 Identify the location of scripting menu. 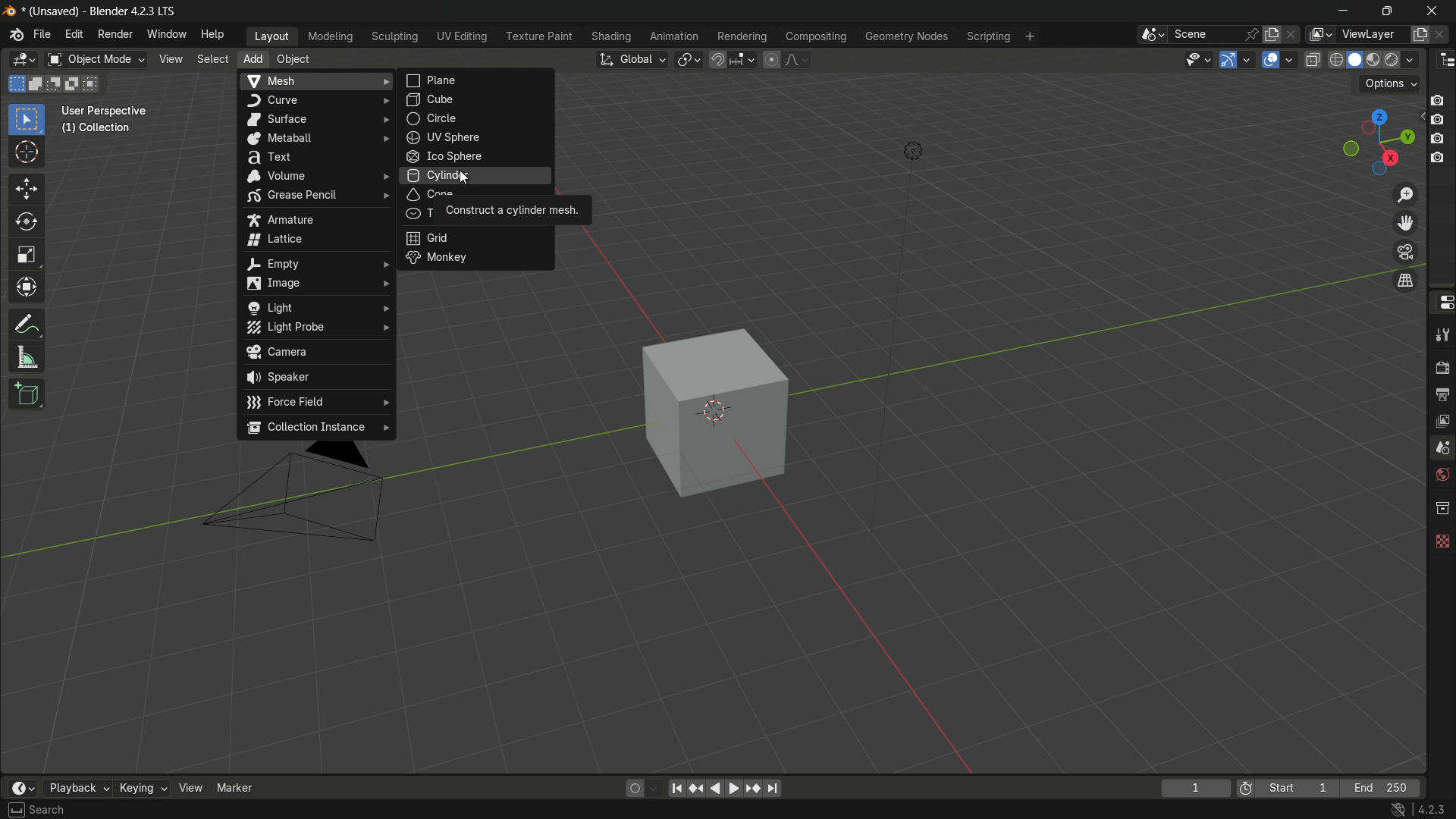
(987, 37).